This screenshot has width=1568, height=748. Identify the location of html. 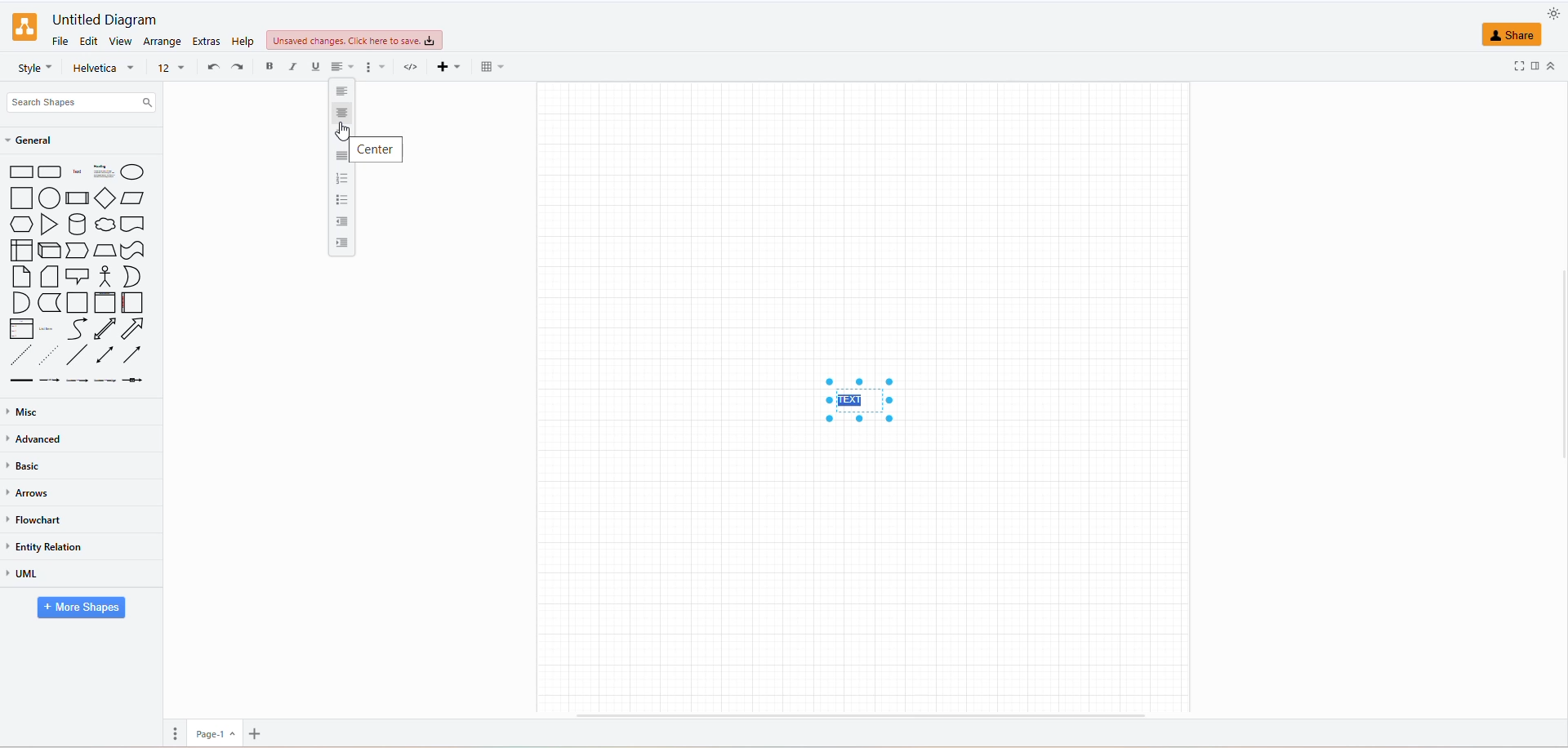
(408, 69).